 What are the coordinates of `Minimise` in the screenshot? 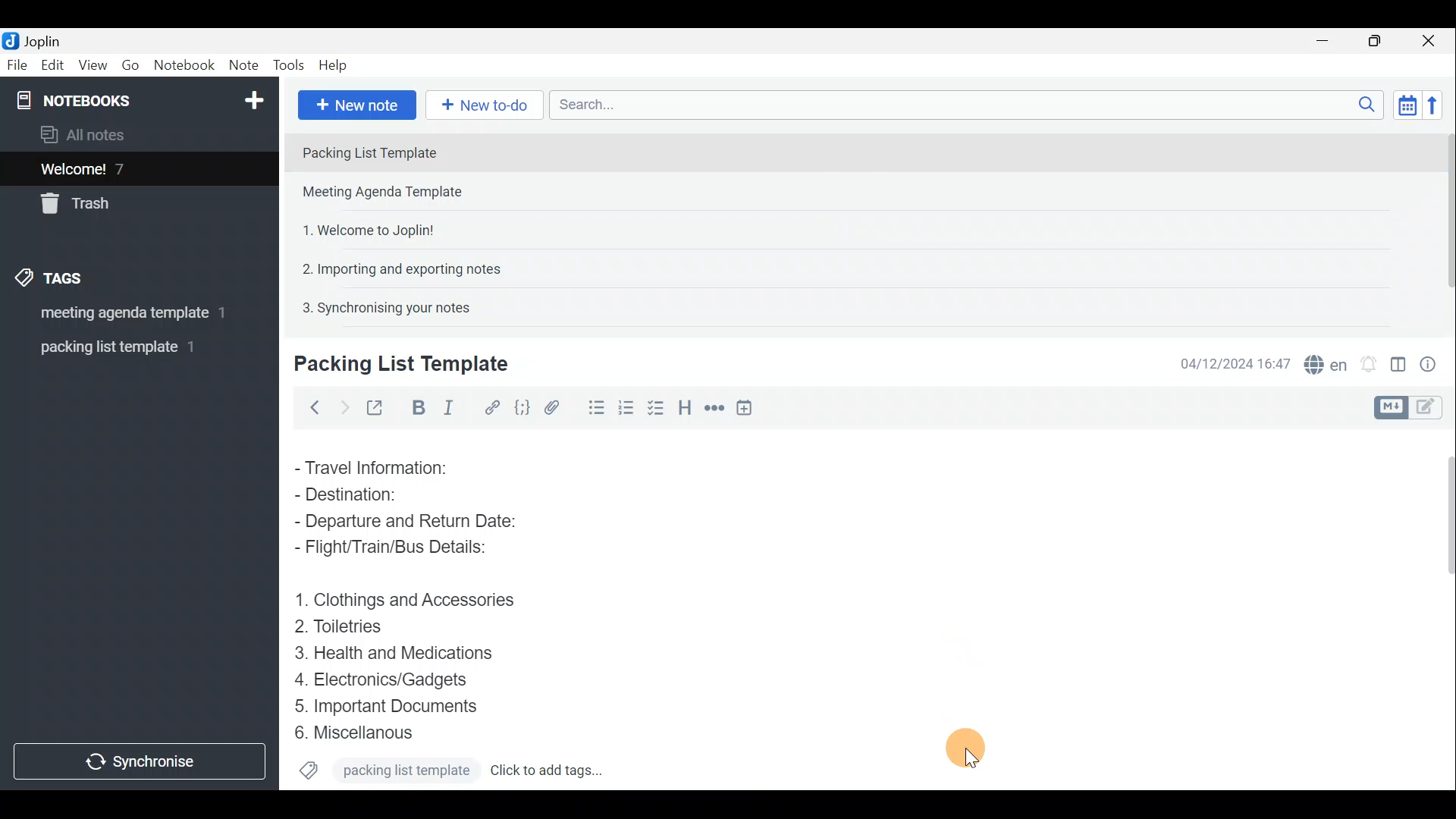 It's located at (1330, 43).